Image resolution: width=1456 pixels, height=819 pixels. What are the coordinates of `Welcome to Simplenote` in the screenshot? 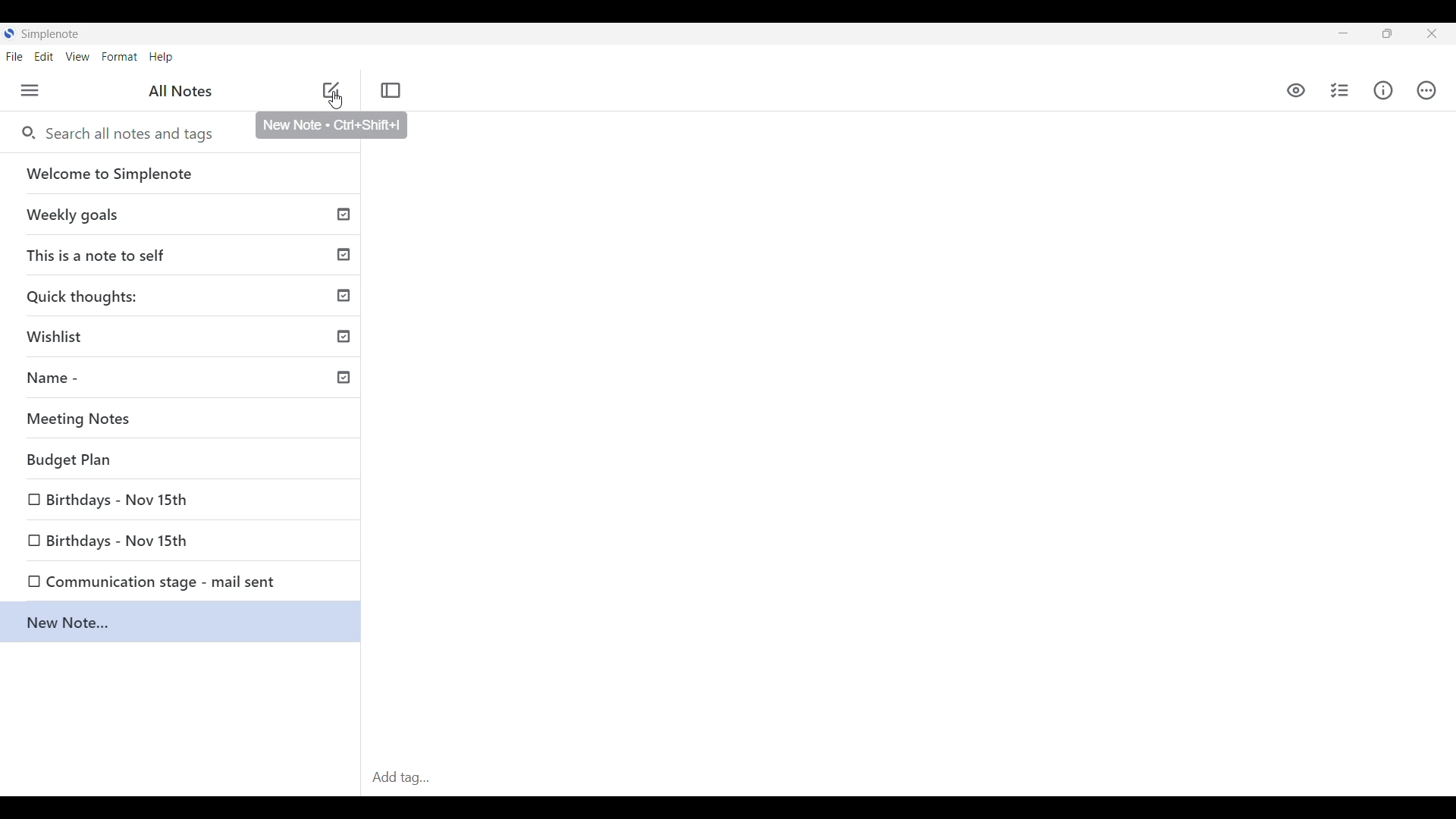 It's located at (181, 172).